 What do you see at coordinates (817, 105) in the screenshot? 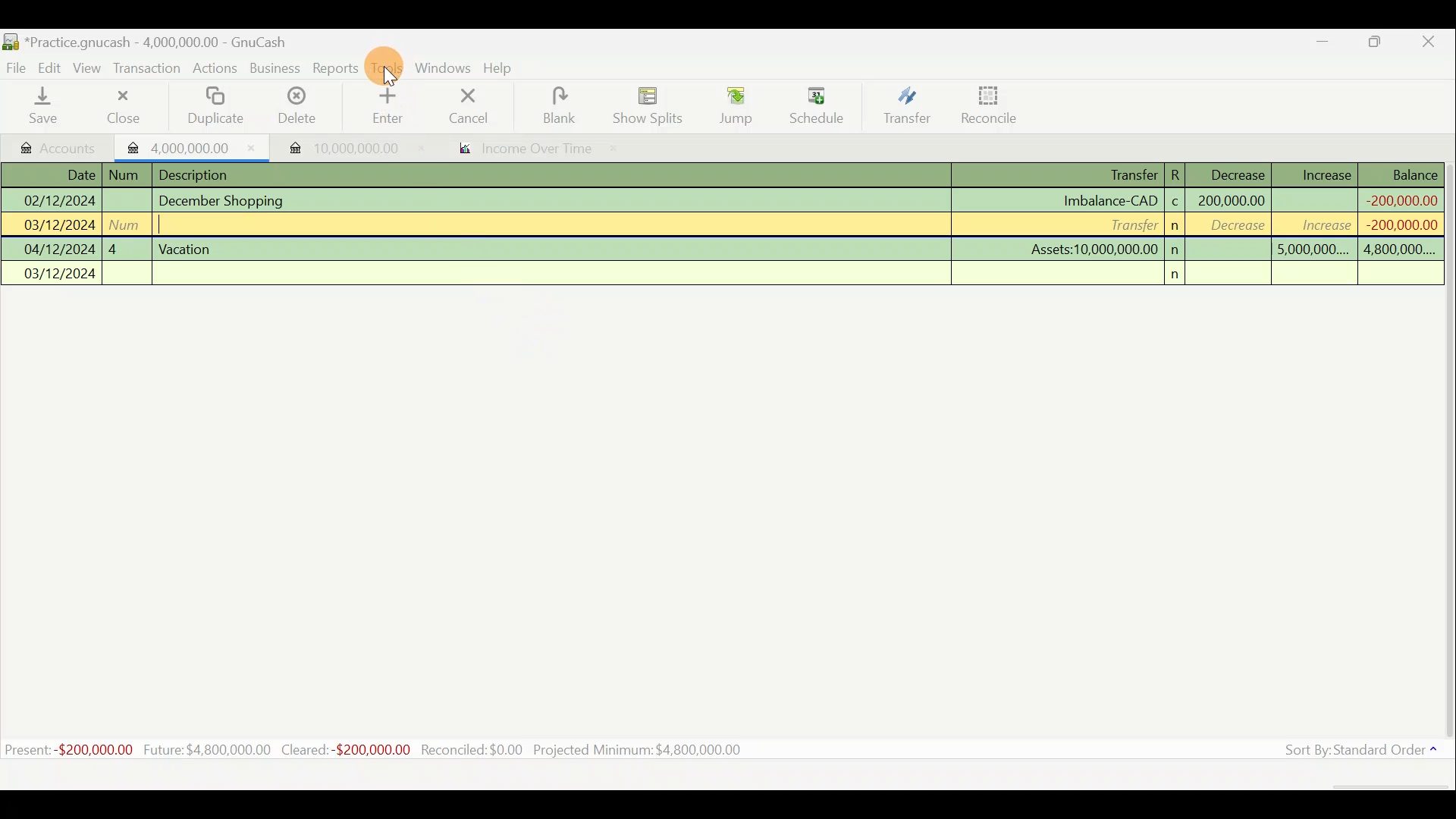
I see `Schedule` at bounding box center [817, 105].